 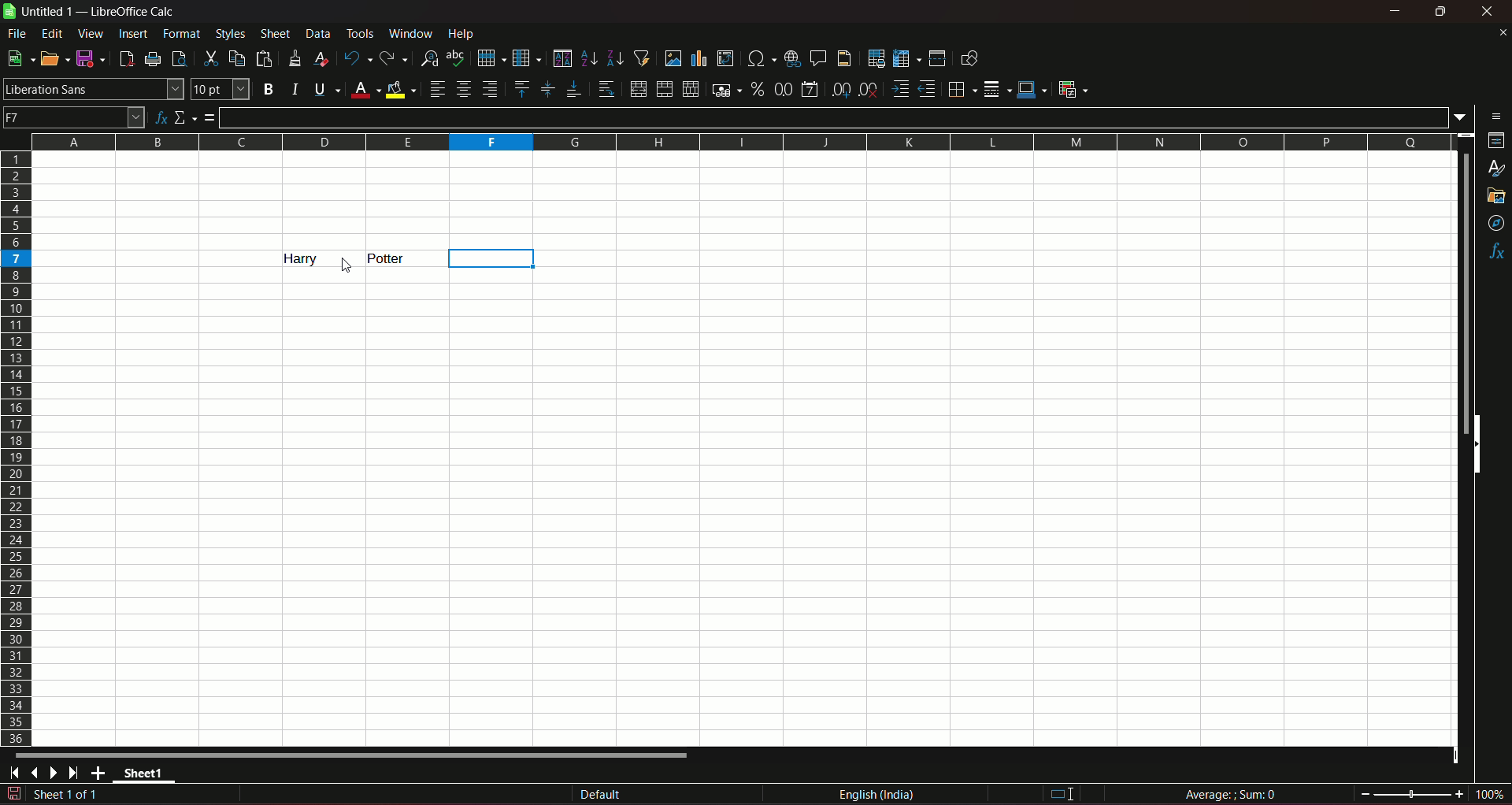 What do you see at coordinates (326, 89) in the screenshot?
I see `underline` at bounding box center [326, 89].